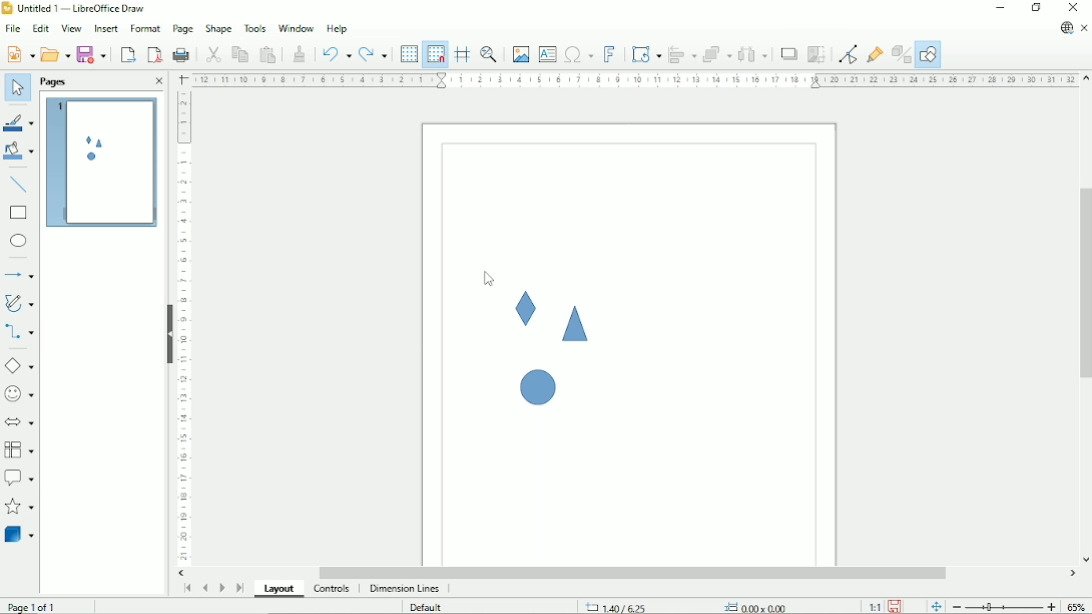 The width and height of the screenshot is (1092, 614). Describe the element at coordinates (461, 54) in the screenshot. I see `Helplines while moving` at that location.